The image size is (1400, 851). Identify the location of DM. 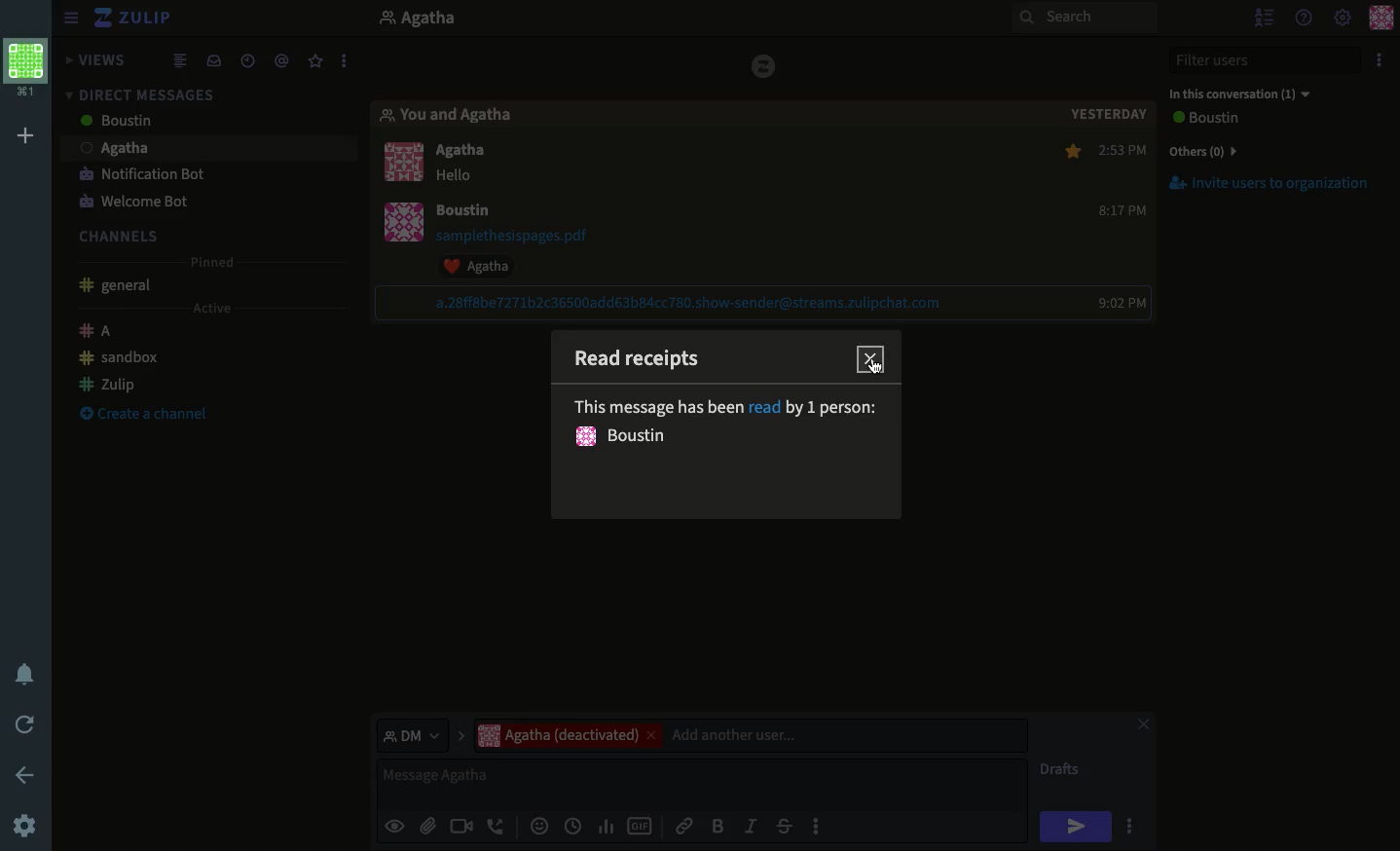
(420, 734).